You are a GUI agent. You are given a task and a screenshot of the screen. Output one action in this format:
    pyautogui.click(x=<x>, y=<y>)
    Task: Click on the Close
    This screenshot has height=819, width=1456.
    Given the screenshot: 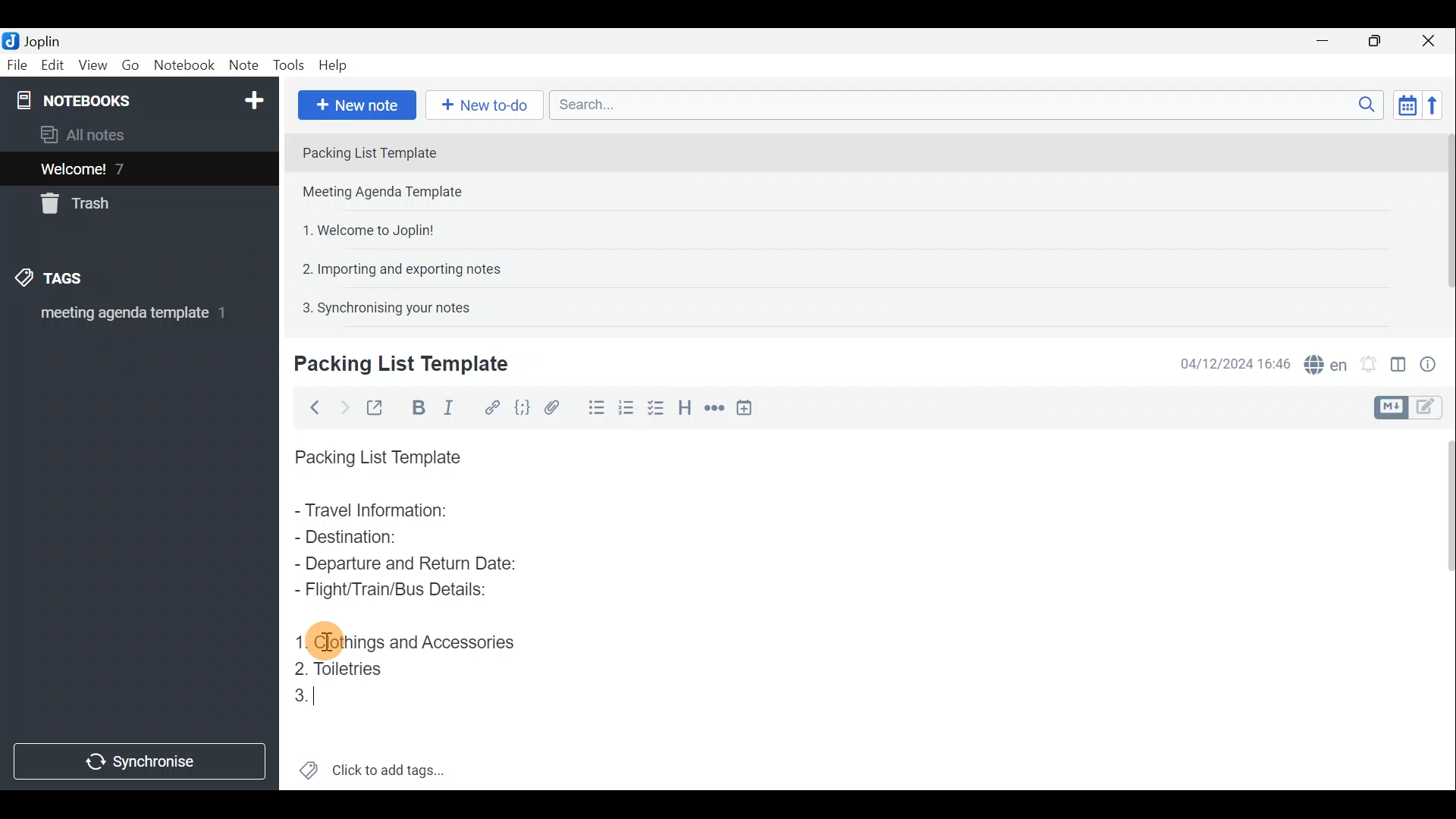 What is the action you would take?
    pyautogui.click(x=1433, y=40)
    